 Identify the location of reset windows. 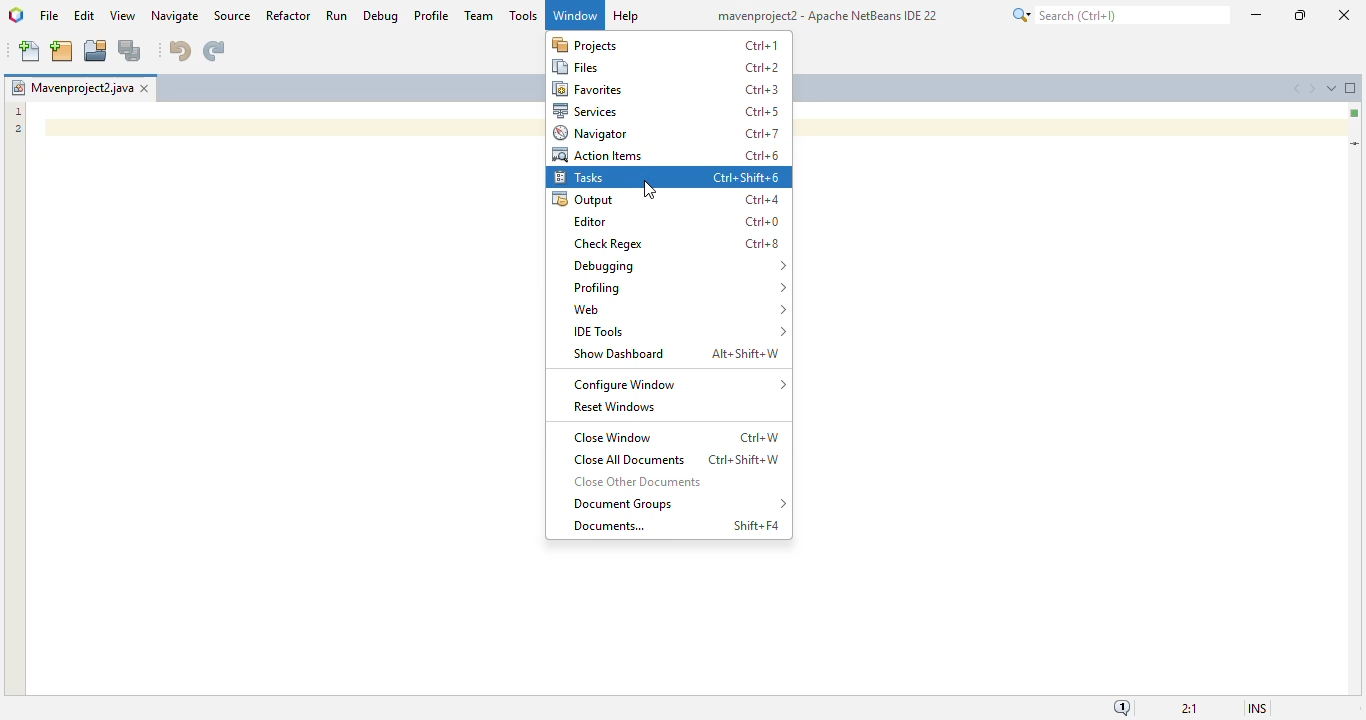
(615, 407).